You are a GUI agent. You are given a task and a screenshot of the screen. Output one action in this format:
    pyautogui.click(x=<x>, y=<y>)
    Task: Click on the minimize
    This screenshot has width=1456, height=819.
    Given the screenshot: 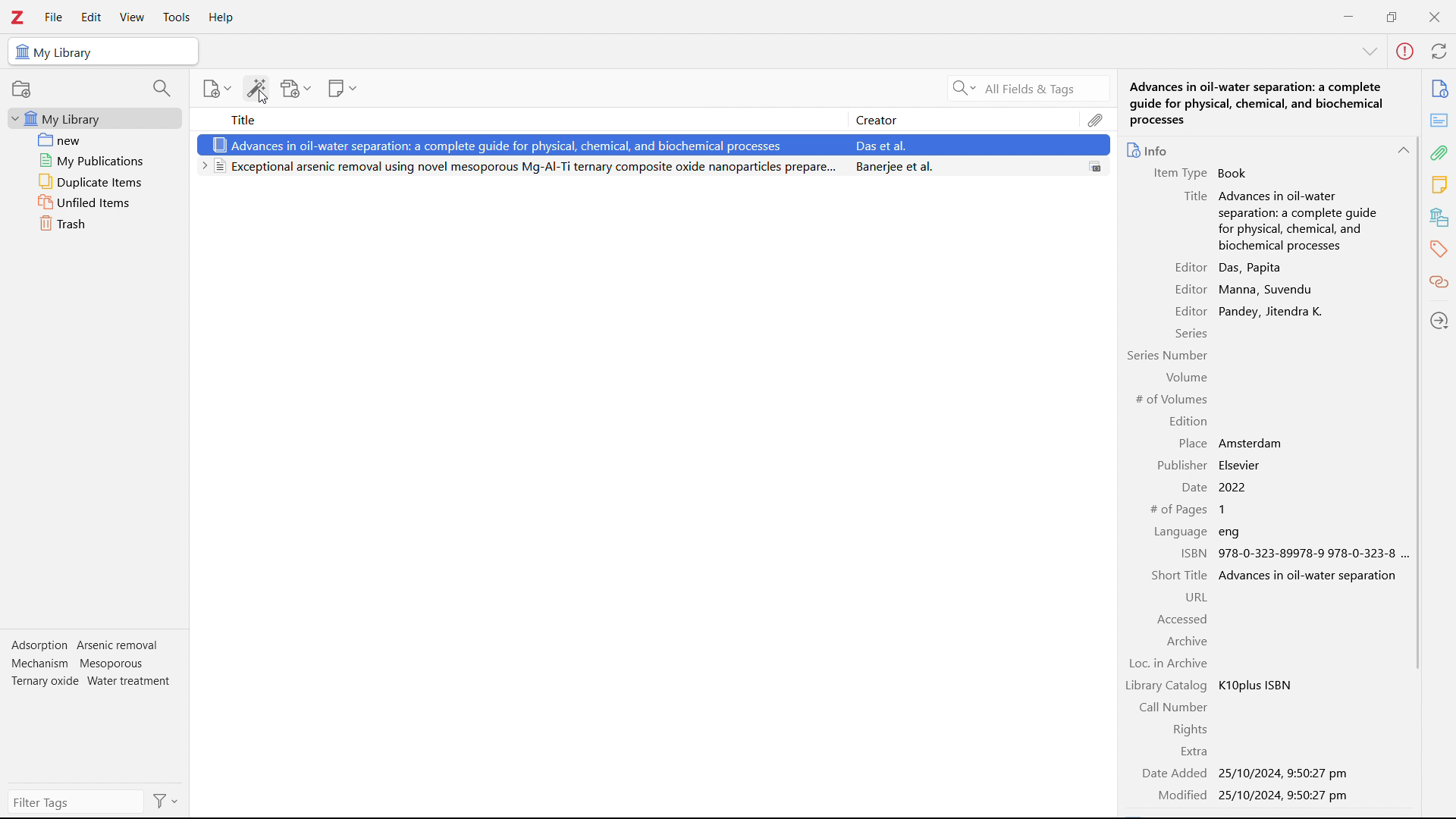 What is the action you would take?
    pyautogui.click(x=1348, y=15)
    